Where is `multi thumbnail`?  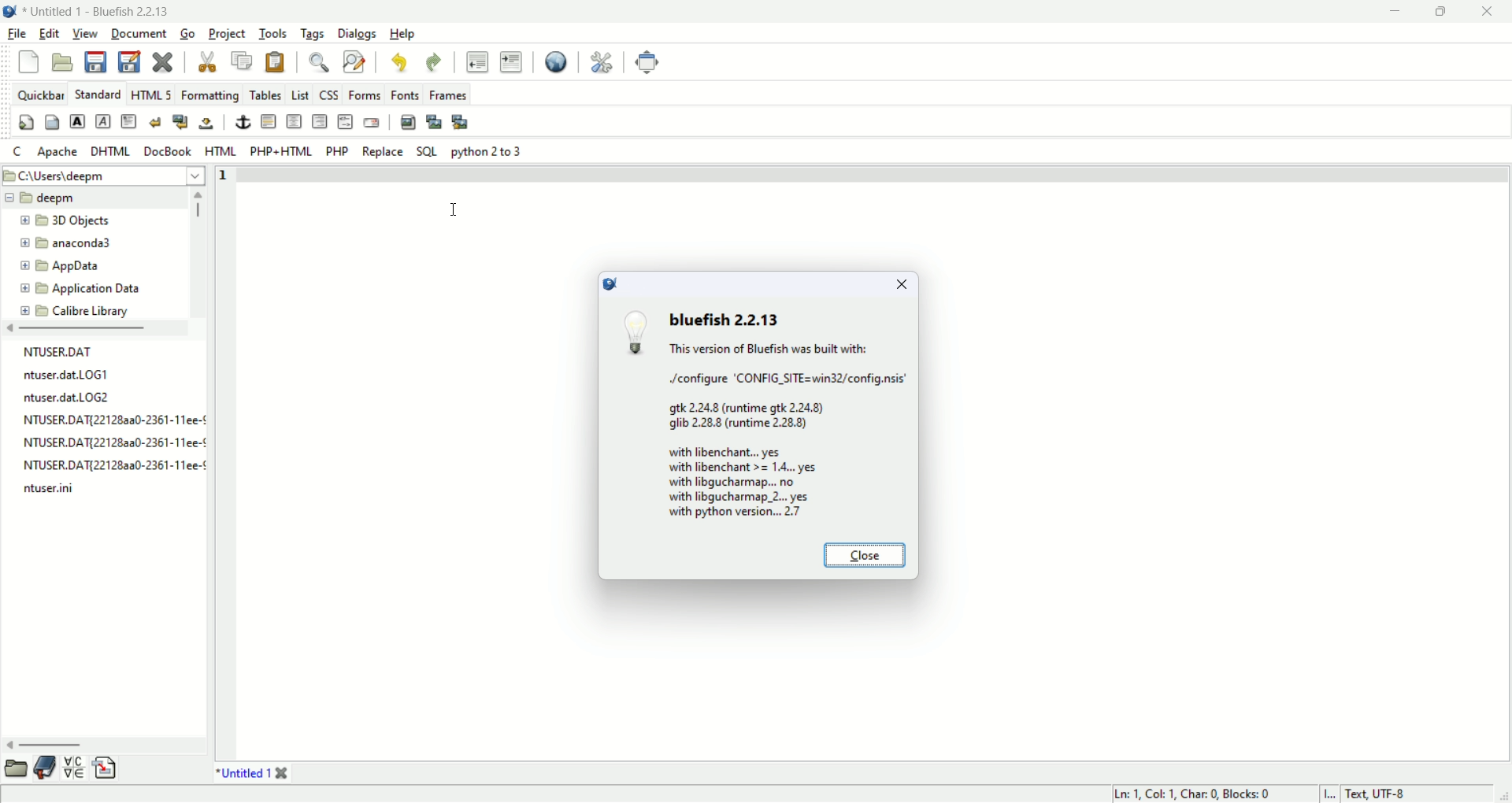
multi thumbnail is located at coordinates (463, 123).